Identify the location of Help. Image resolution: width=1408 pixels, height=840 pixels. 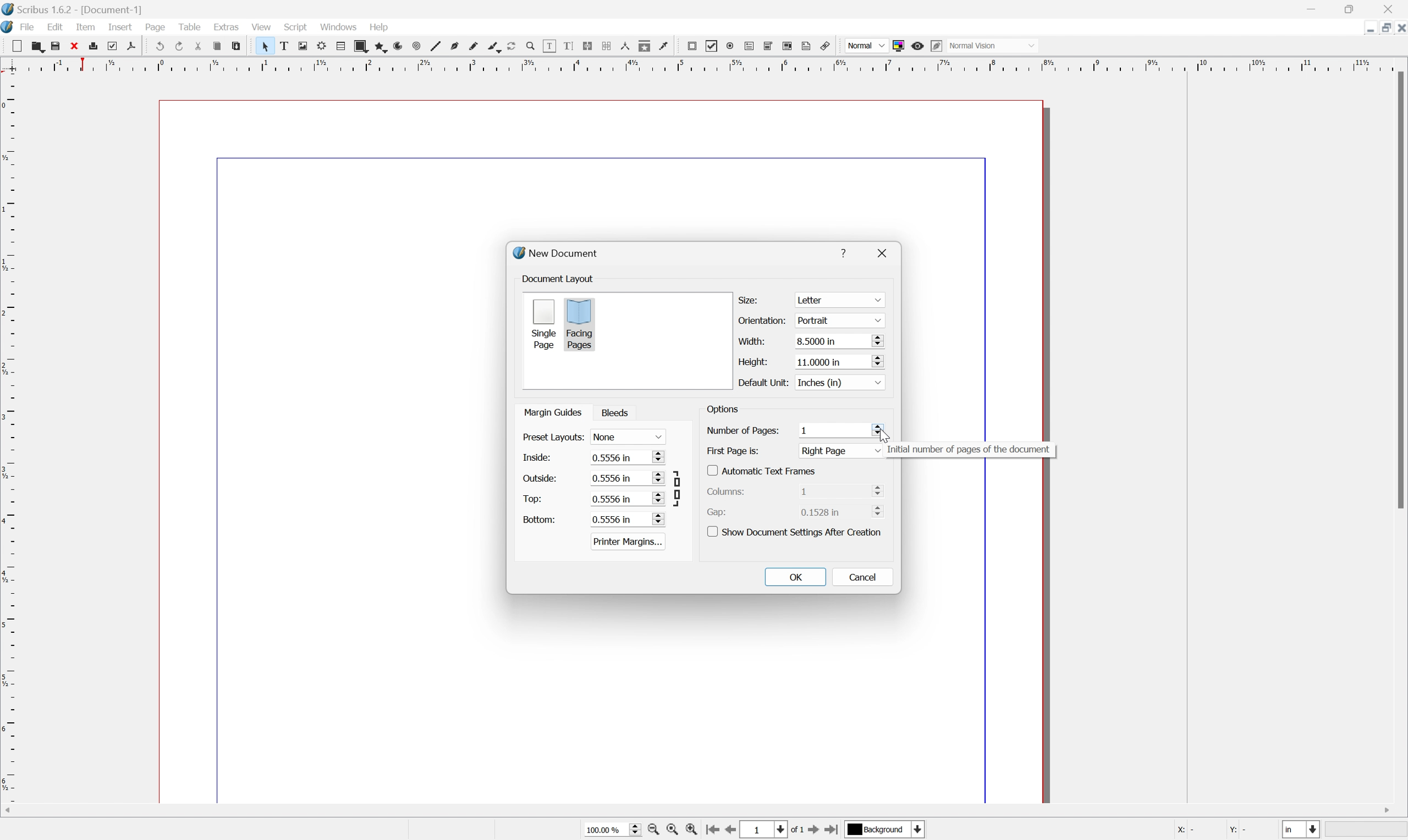
(378, 27).